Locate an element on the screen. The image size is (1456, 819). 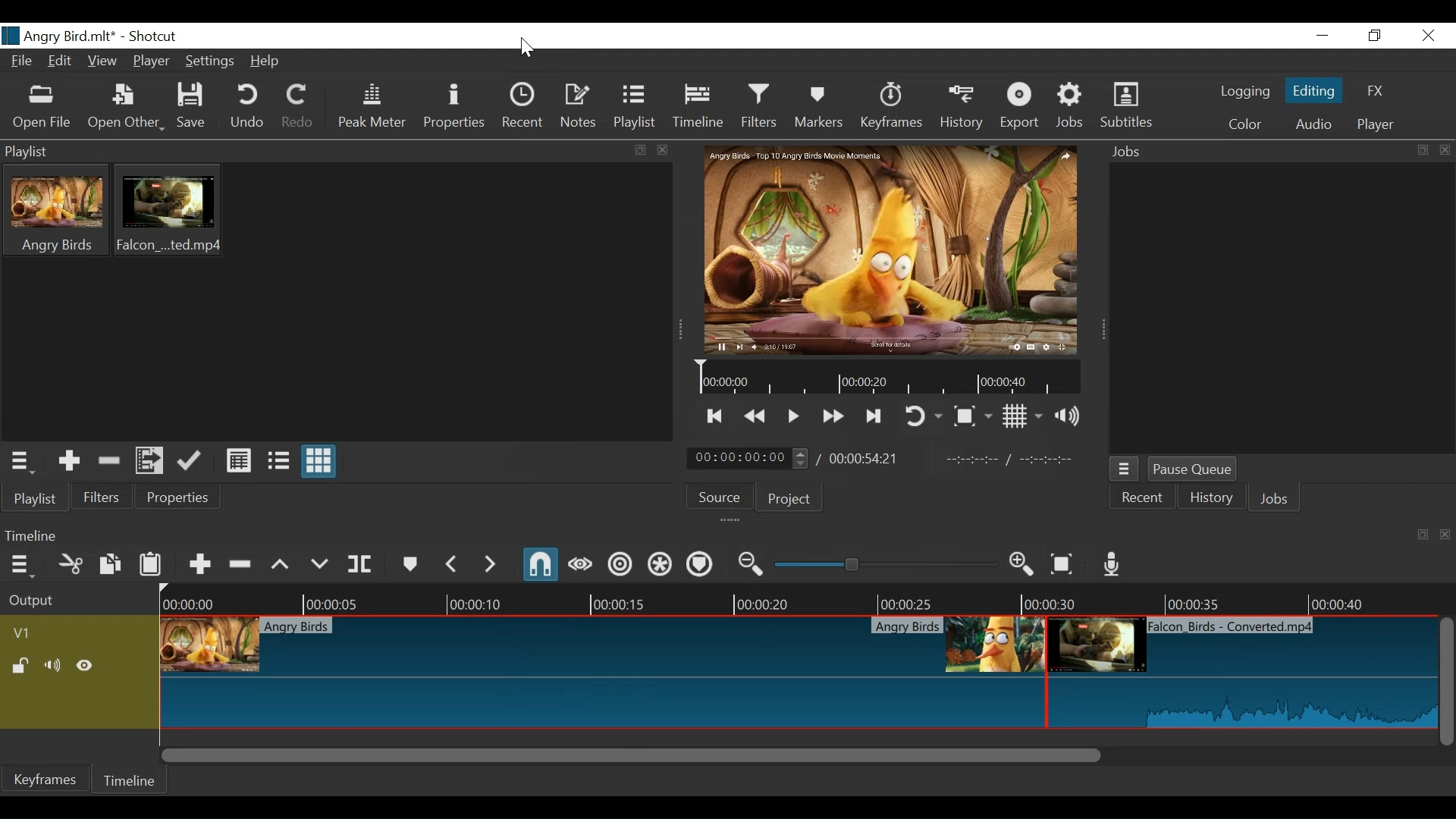
Open Other is located at coordinates (127, 108).